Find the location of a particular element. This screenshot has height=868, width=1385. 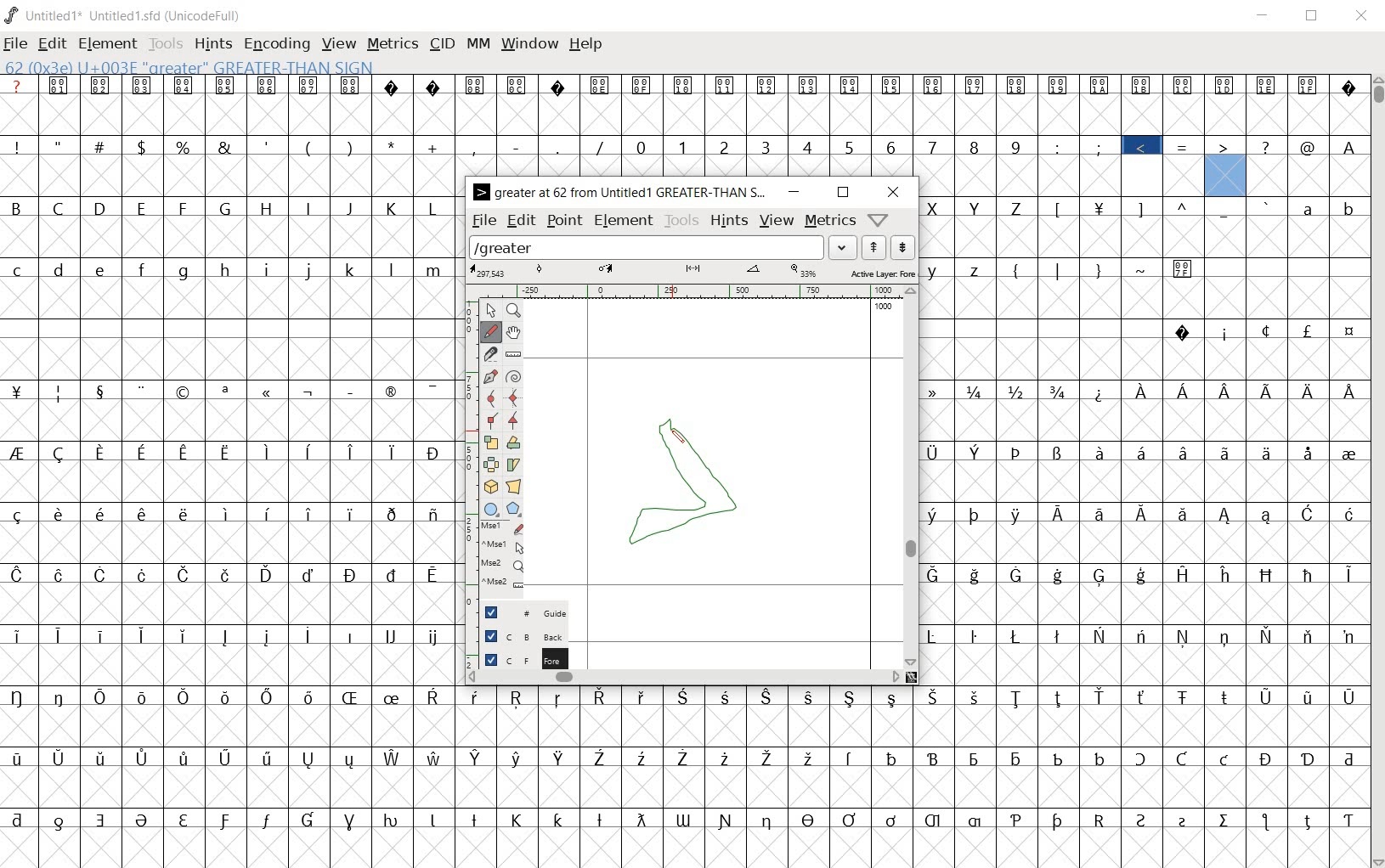

glyps is located at coordinates (1184, 167).